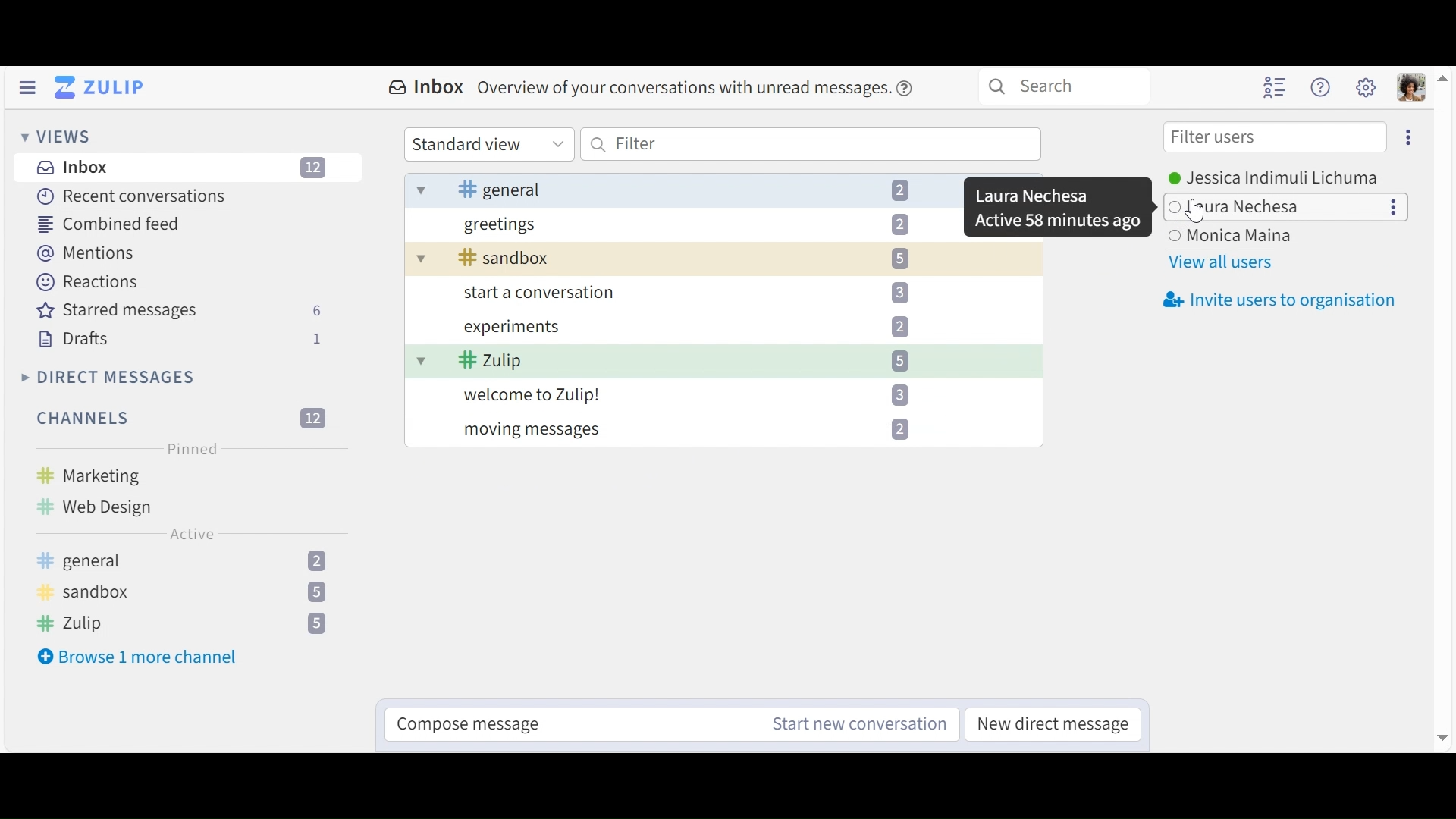 The height and width of the screenshot is (819, 1456). Describe the element at coordinates (678, 259) in the screenshot. I see ` sandbox` at that location.